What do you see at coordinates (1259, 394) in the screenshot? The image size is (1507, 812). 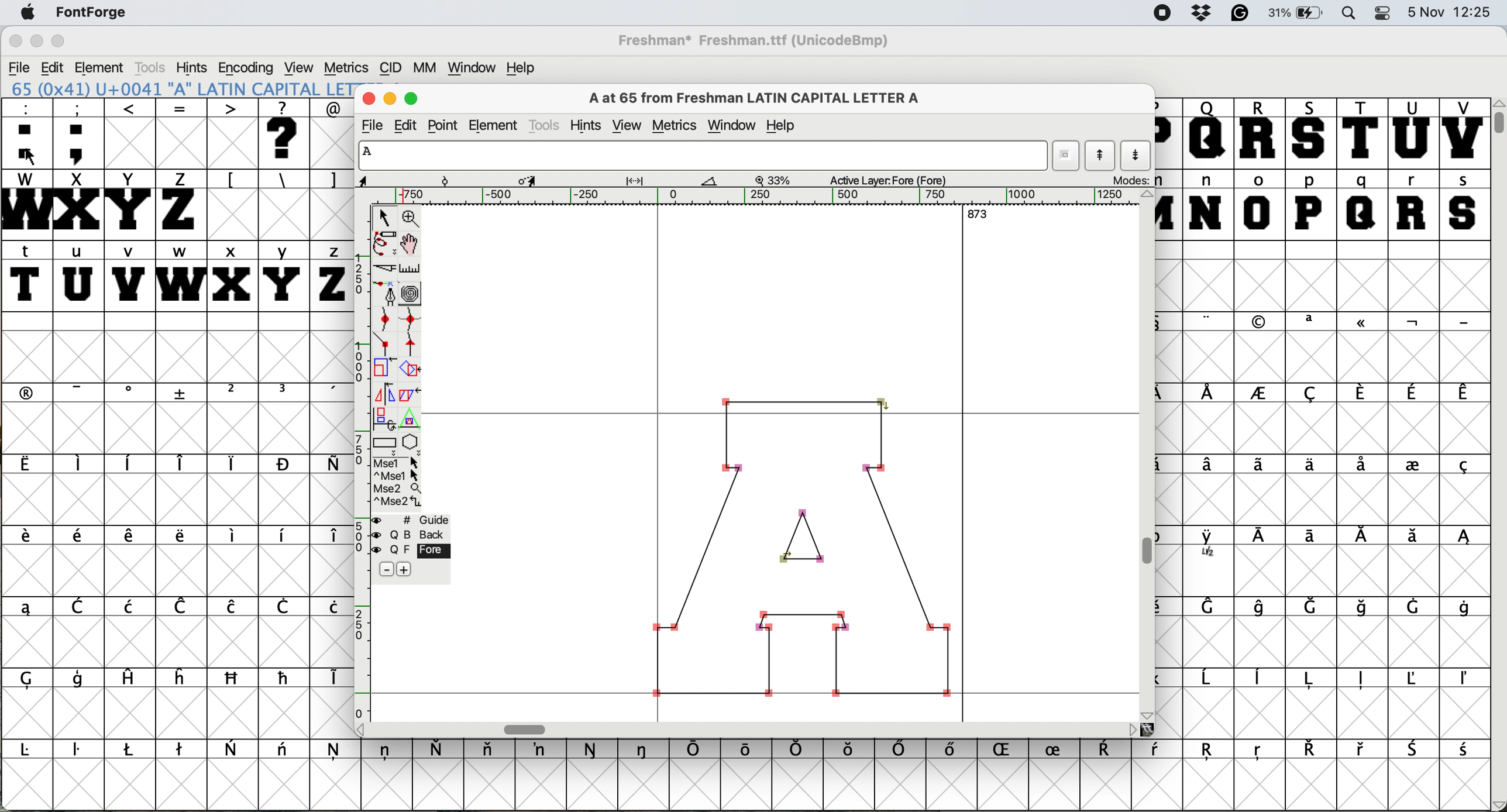 I see `symbol` at bounding box center [1259, 394].